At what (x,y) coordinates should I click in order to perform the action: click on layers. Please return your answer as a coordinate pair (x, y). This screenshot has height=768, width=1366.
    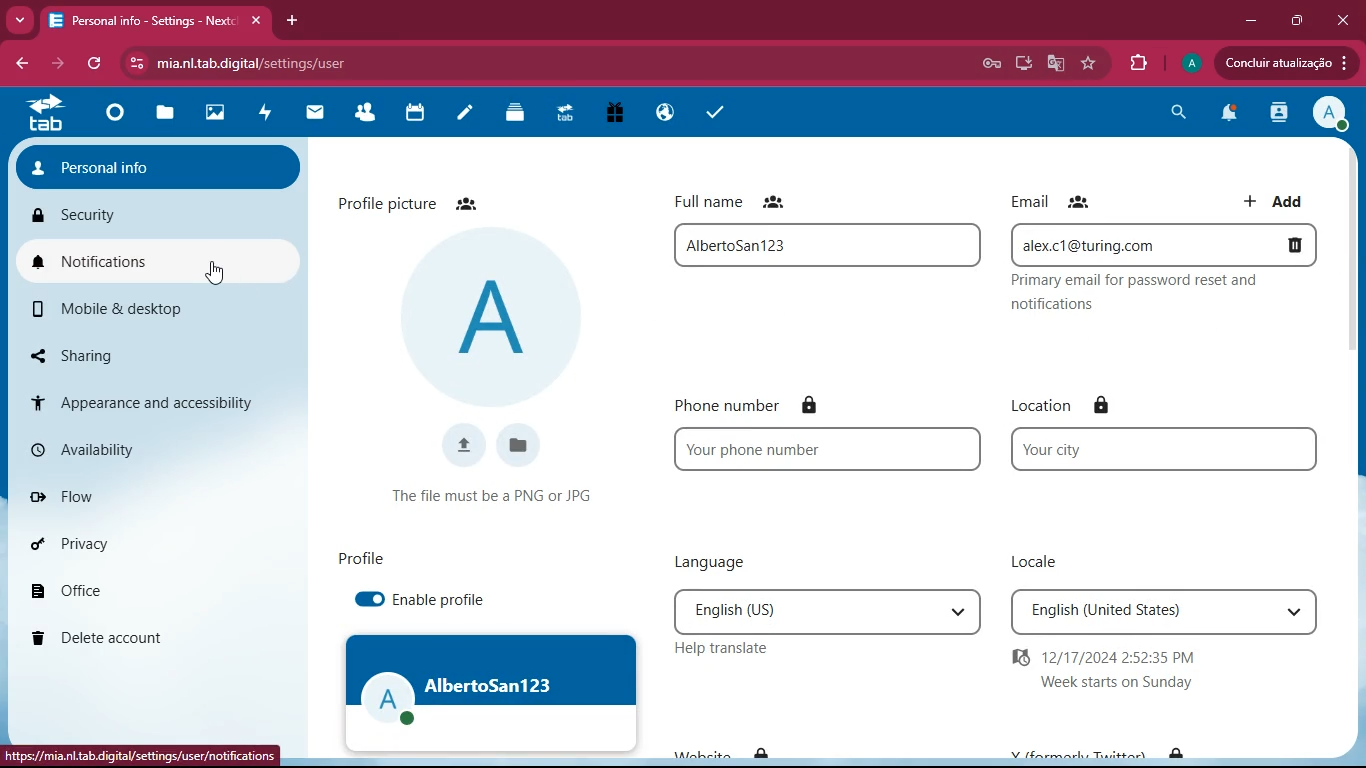
    Looking at the image, I should click on (517, 112).